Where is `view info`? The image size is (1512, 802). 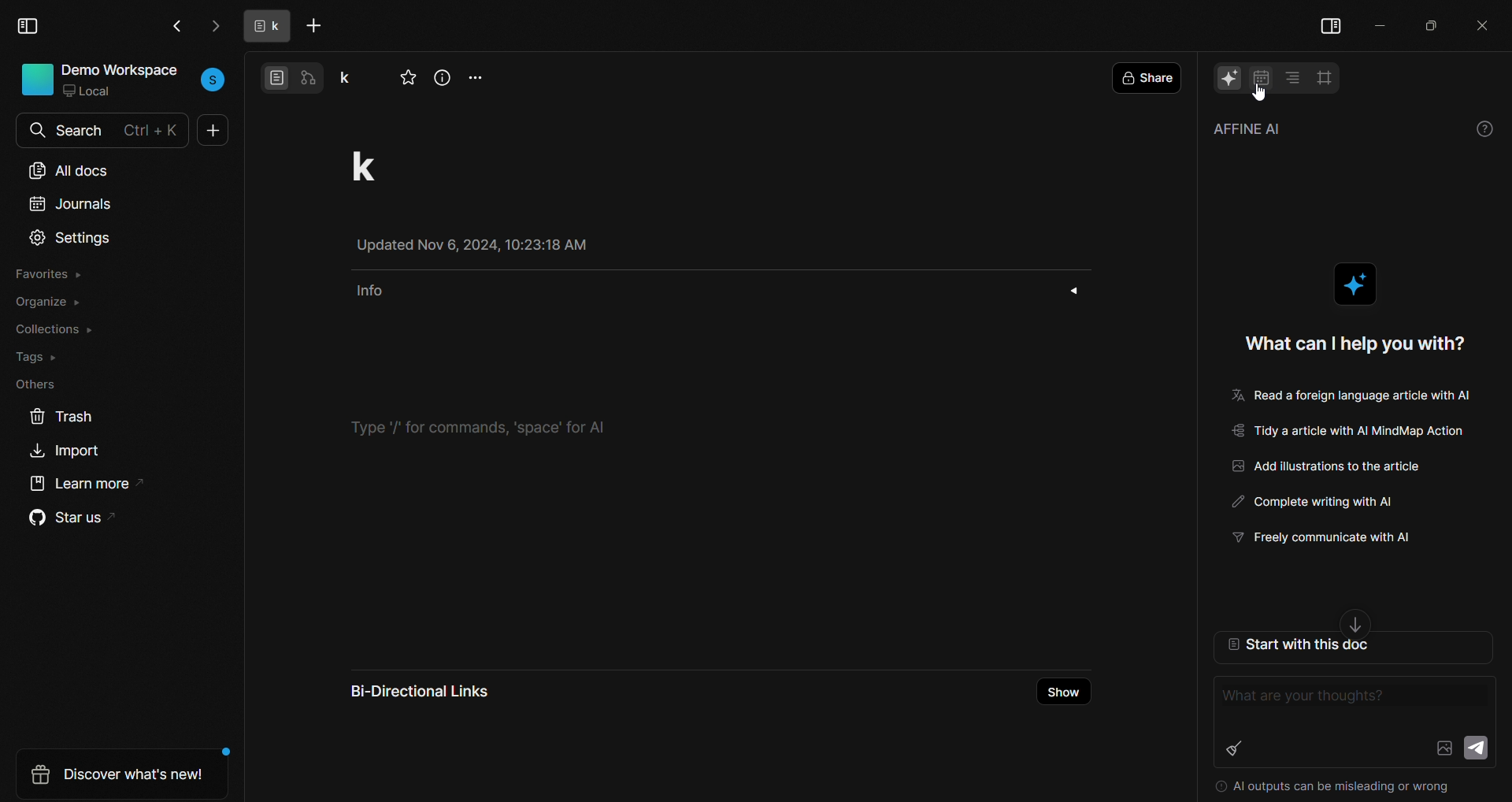
view info is located at coordinates (443, 78).